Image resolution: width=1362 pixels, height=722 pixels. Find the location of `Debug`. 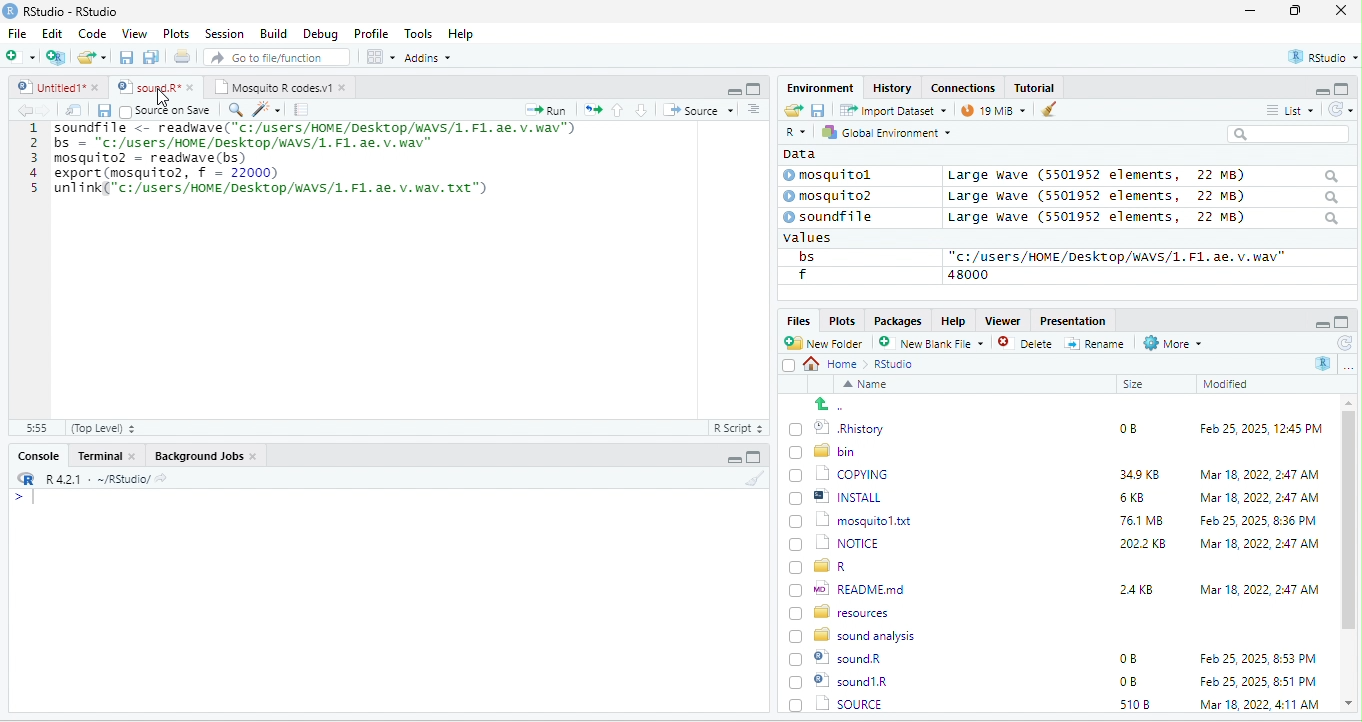

Debug is located at coordinates (320, 33).